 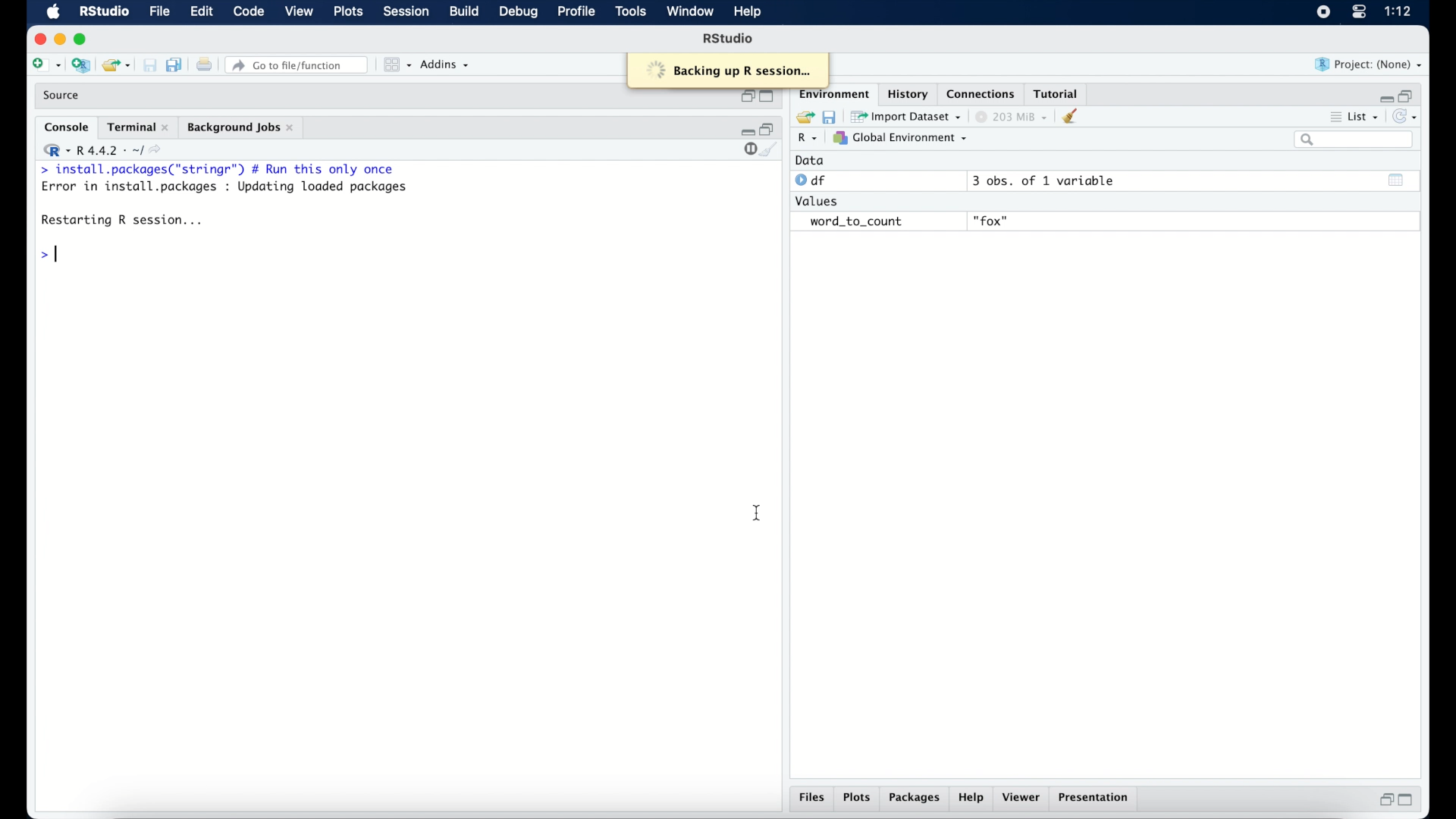 I want to click on > install.packages("stringr") # Run this only once|, so click(x=221, y=170).